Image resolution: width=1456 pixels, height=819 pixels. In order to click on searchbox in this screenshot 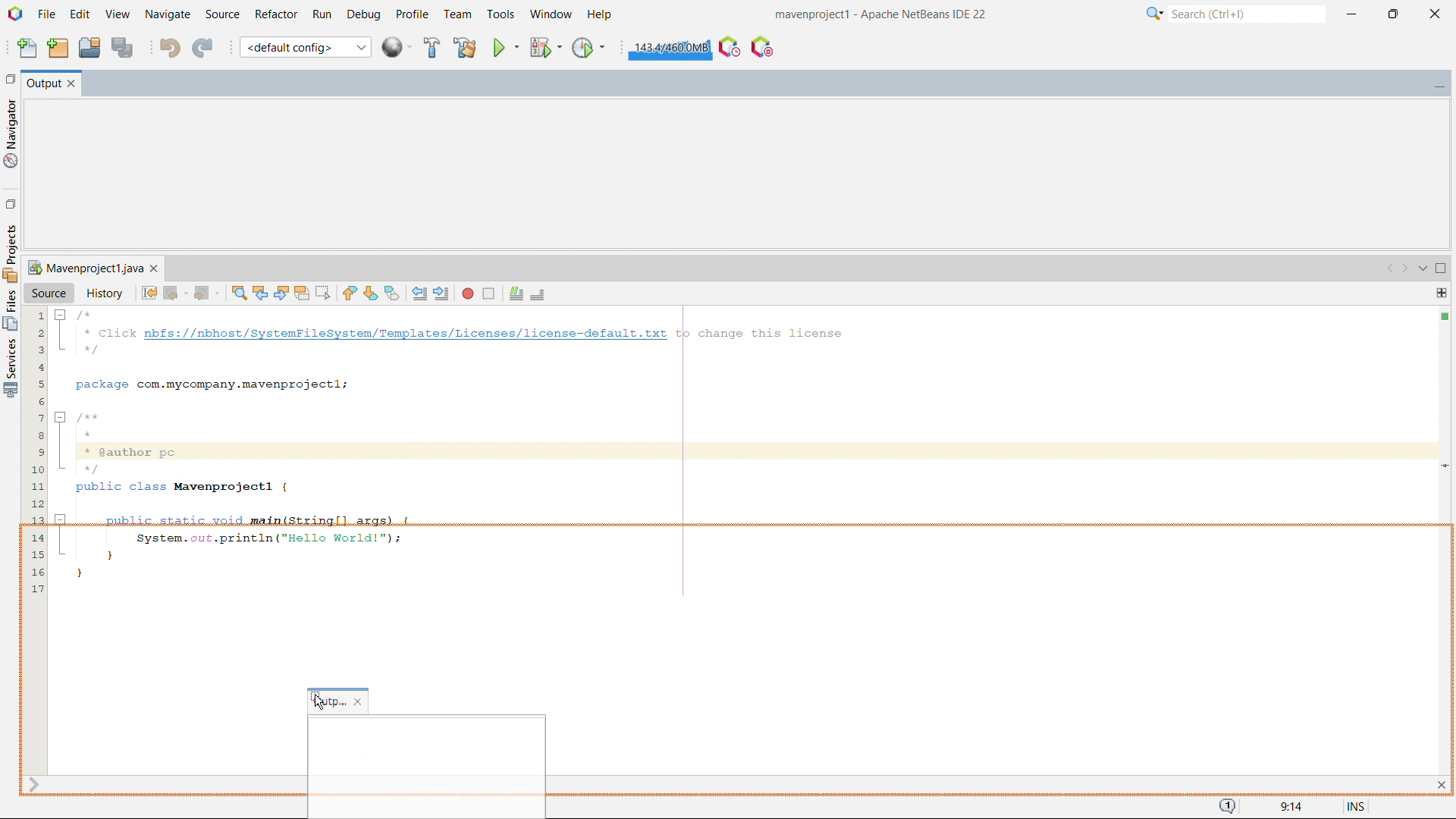, I will do `click(1247, 14)`.